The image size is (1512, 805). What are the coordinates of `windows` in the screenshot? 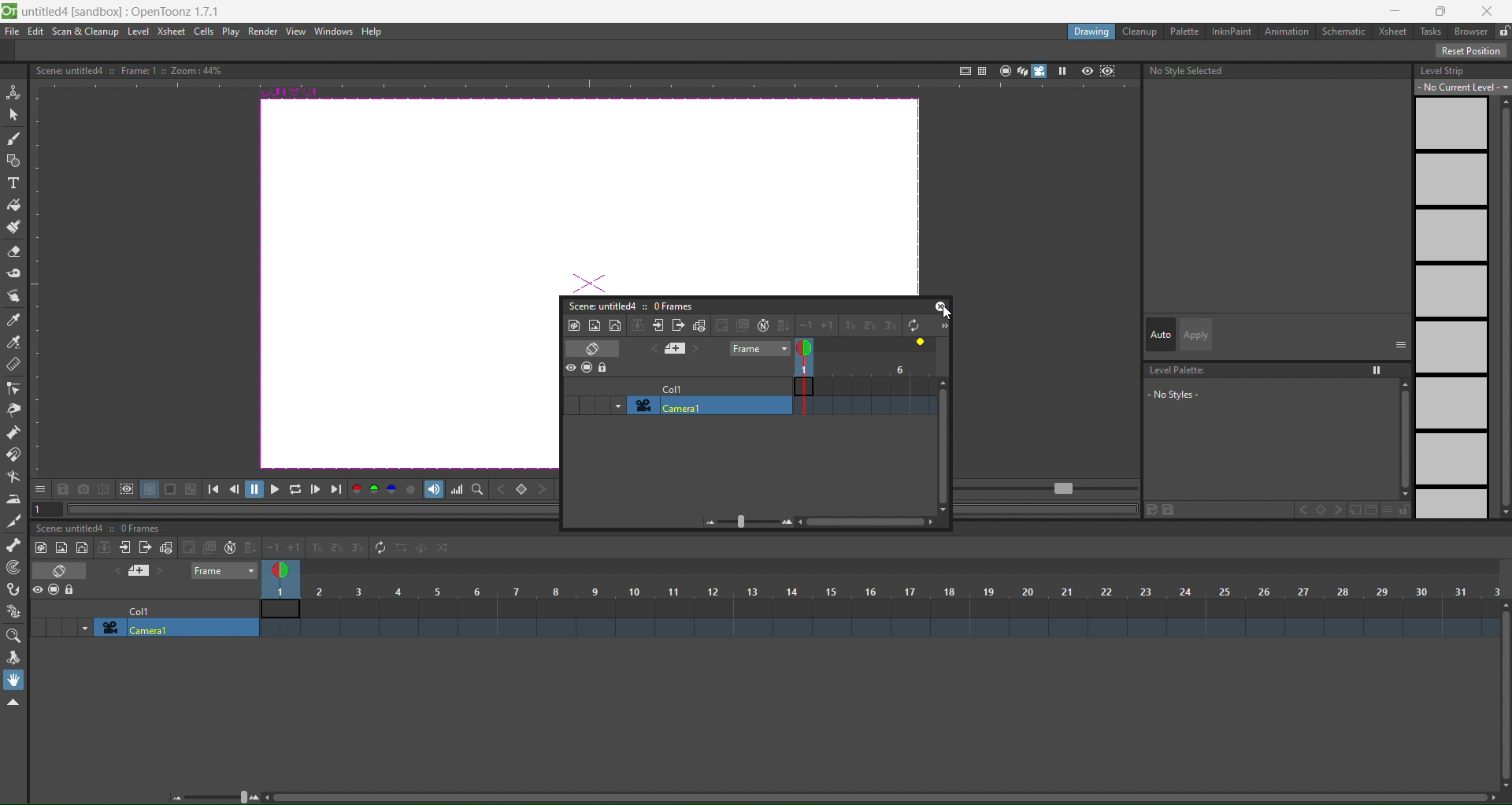 It's located at (330, 32).